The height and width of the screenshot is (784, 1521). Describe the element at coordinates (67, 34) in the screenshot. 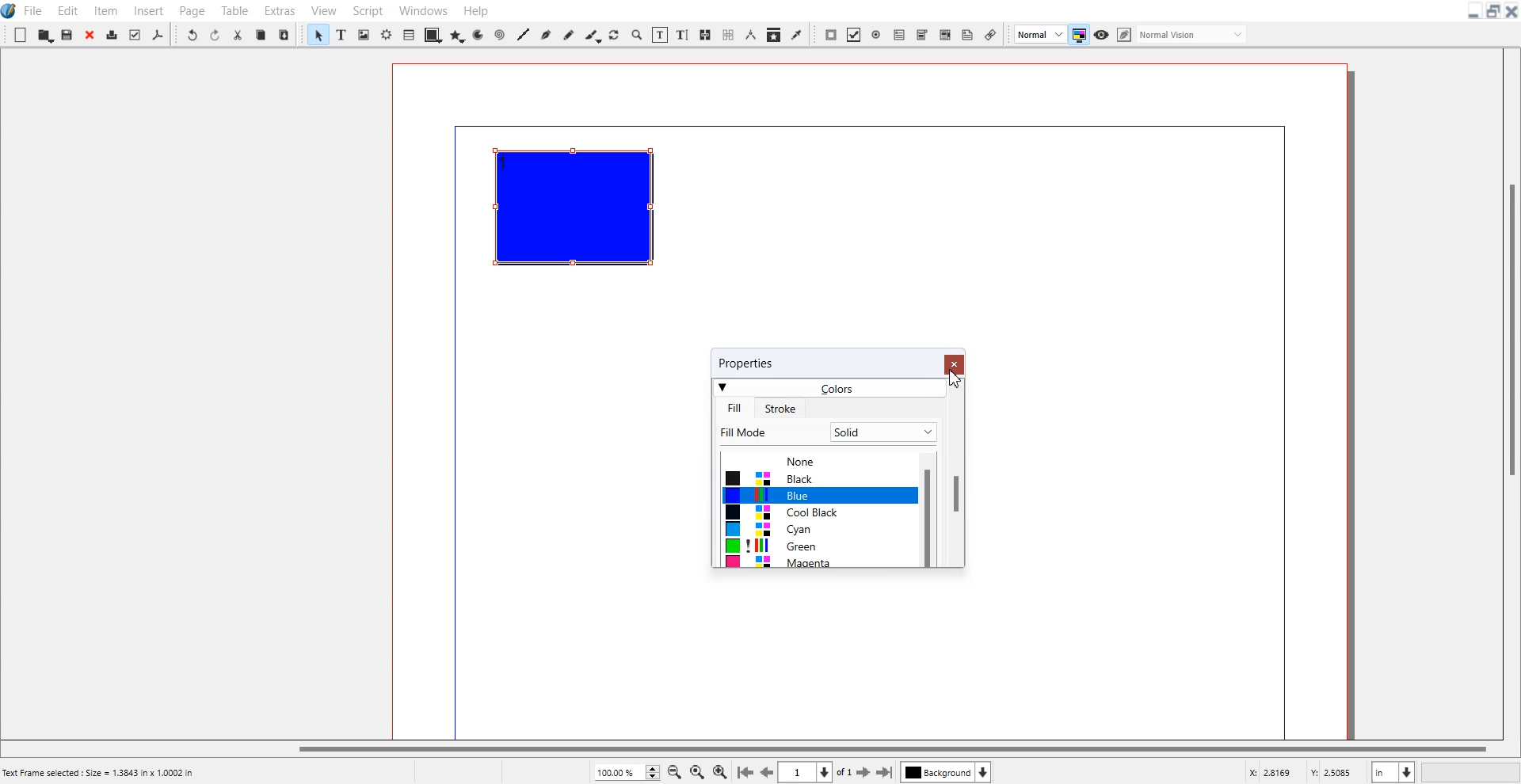

I see `Save` at that location.